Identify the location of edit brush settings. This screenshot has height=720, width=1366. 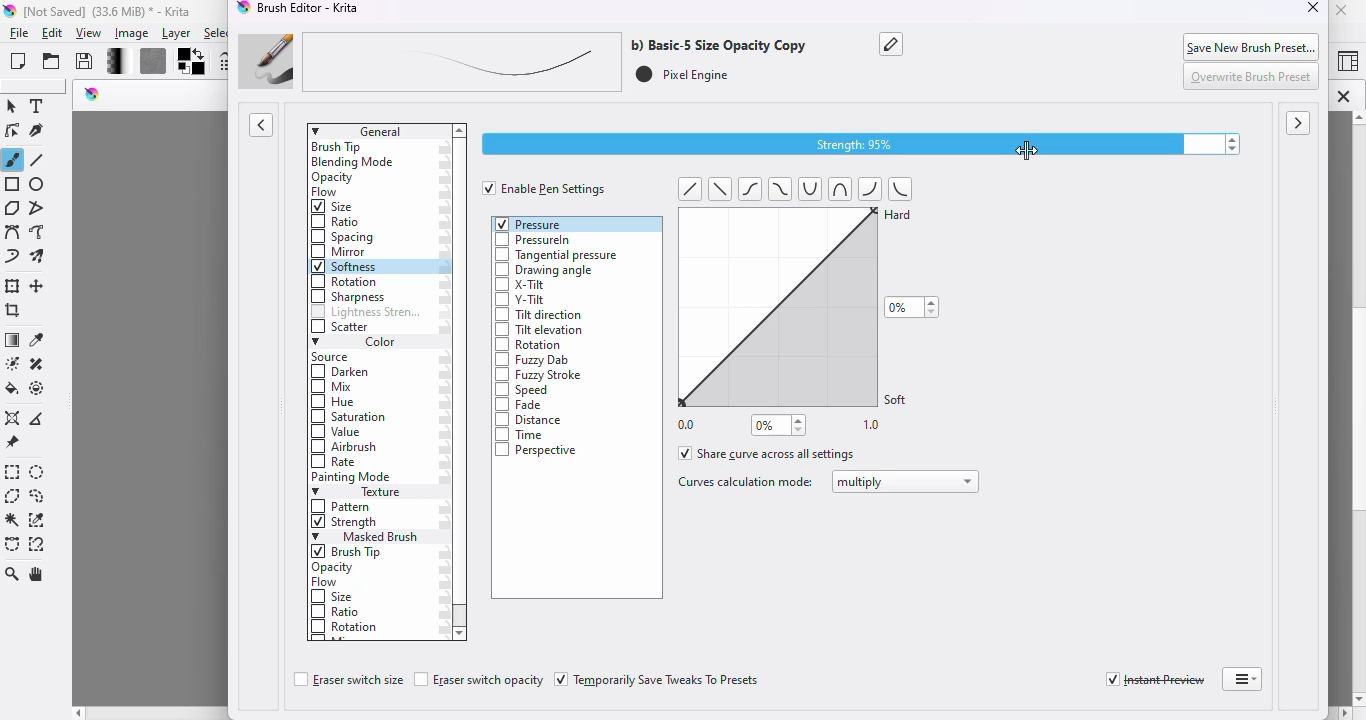
(224, 62).